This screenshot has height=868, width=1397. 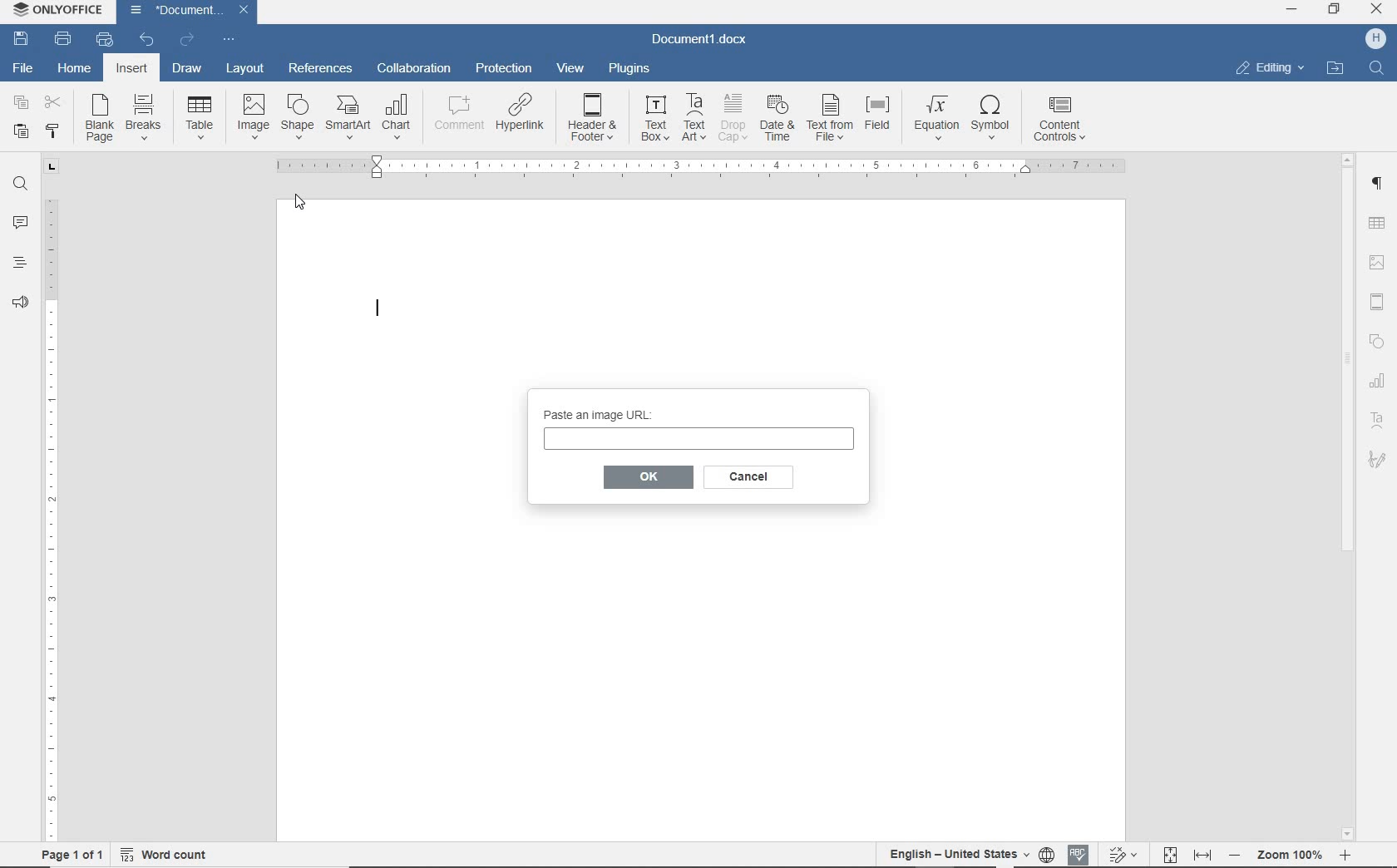 What do you see at coordinates (571, 70) in the screenshot?
I see `view` at bounding box center [571, 70].